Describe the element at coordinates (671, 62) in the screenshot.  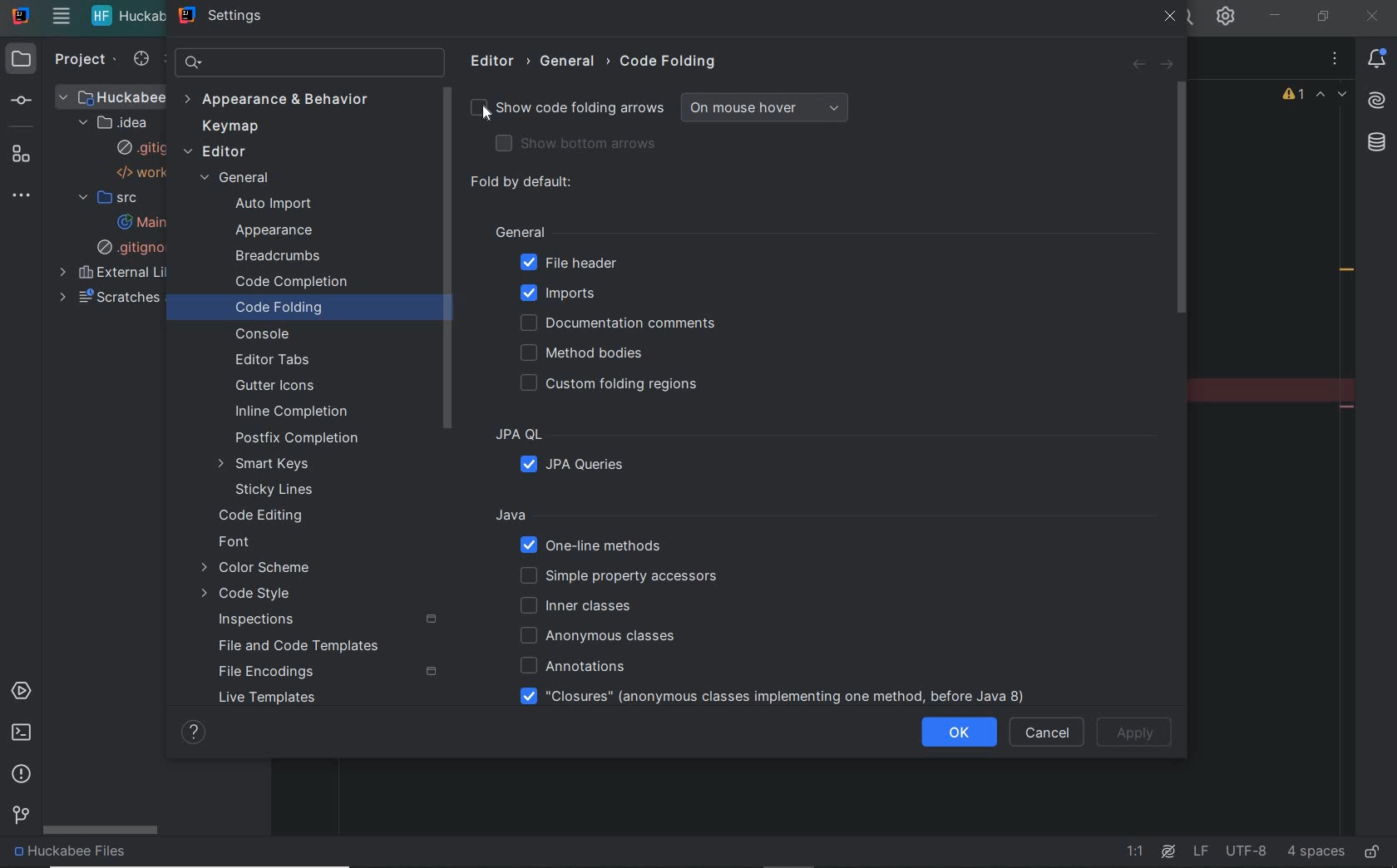
I see `code folding` at that location.